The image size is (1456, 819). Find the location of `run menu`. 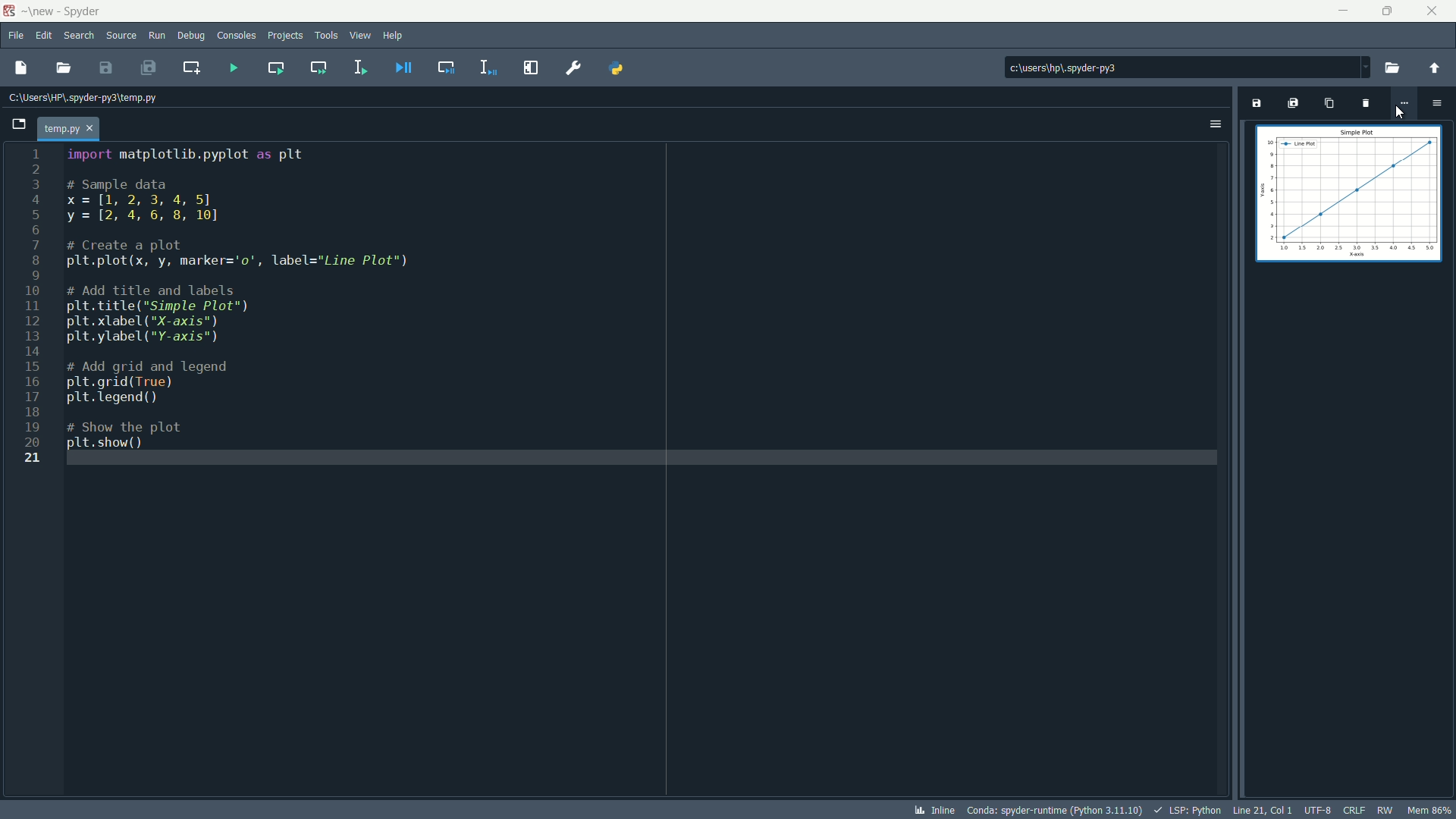

run menu is located at coordinates (157, 34).